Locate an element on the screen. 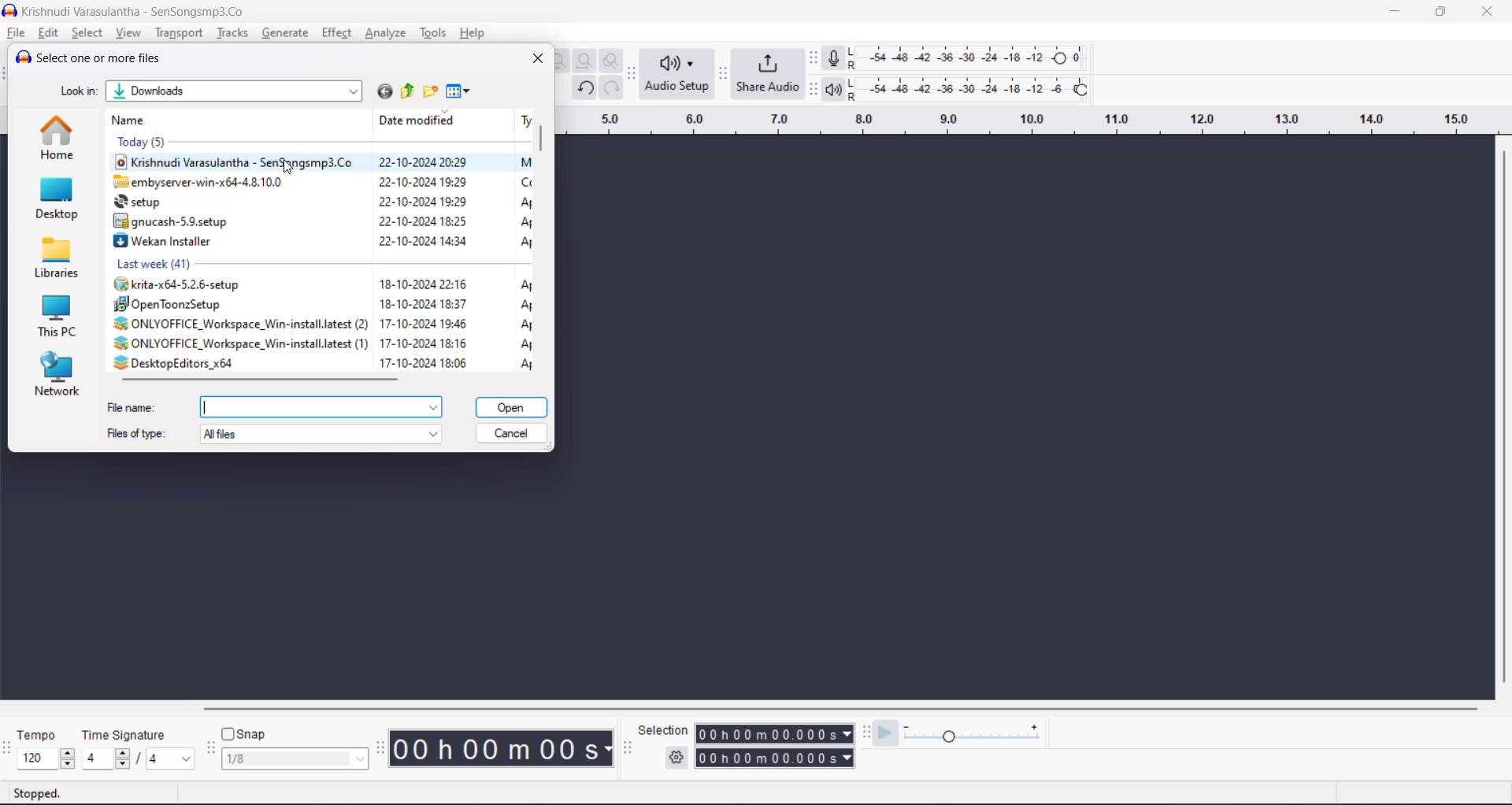 The width and height of the screenshot is (1512, 805). snapping tool bar is located at coordinates (209, 750).